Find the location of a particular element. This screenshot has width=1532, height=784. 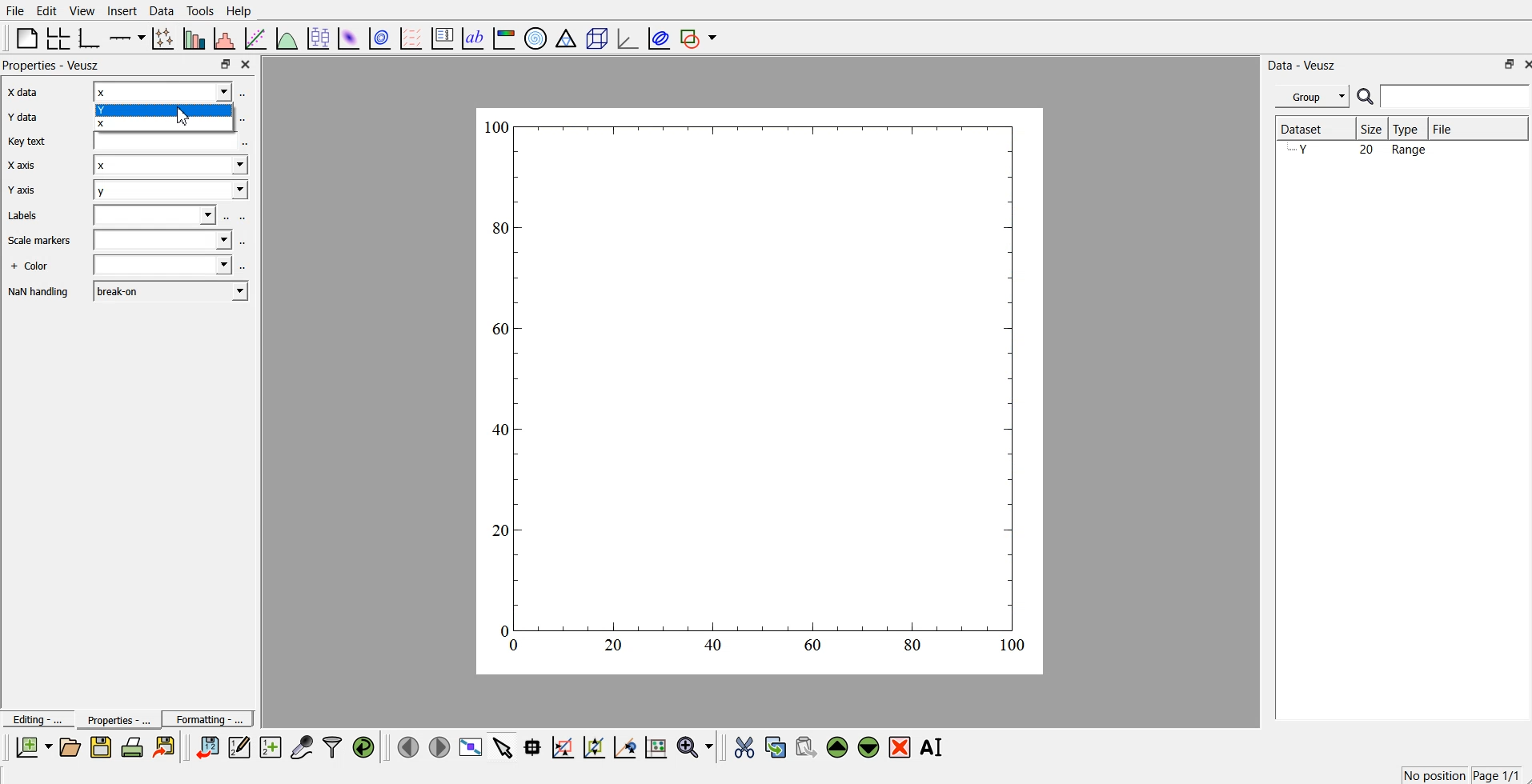

field is located at coordinates (170, 141).